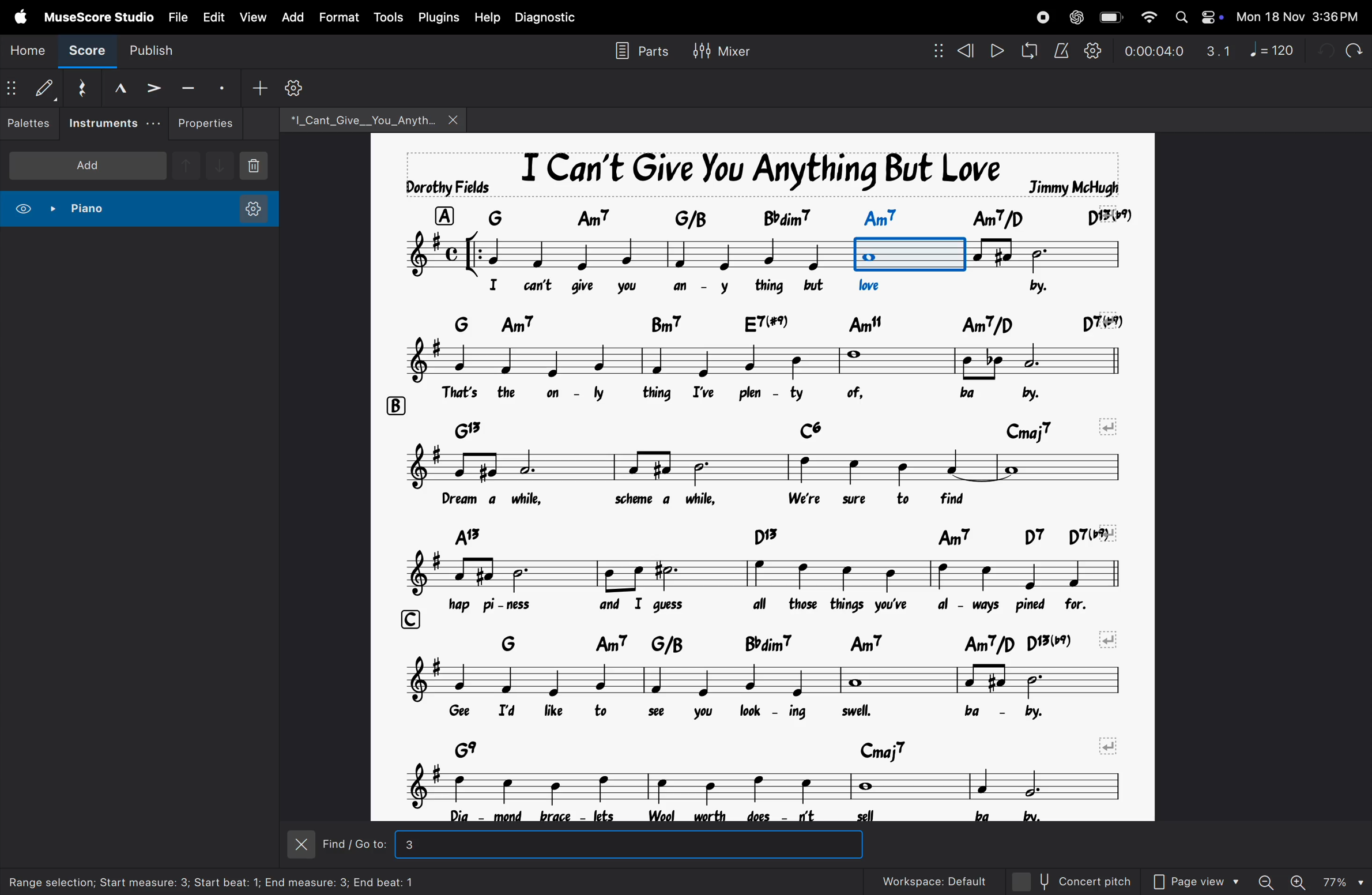  What do you see at coordinates (1062, 51) in the screenshot?
I see `metronome` at bounding box center [1062, 51].